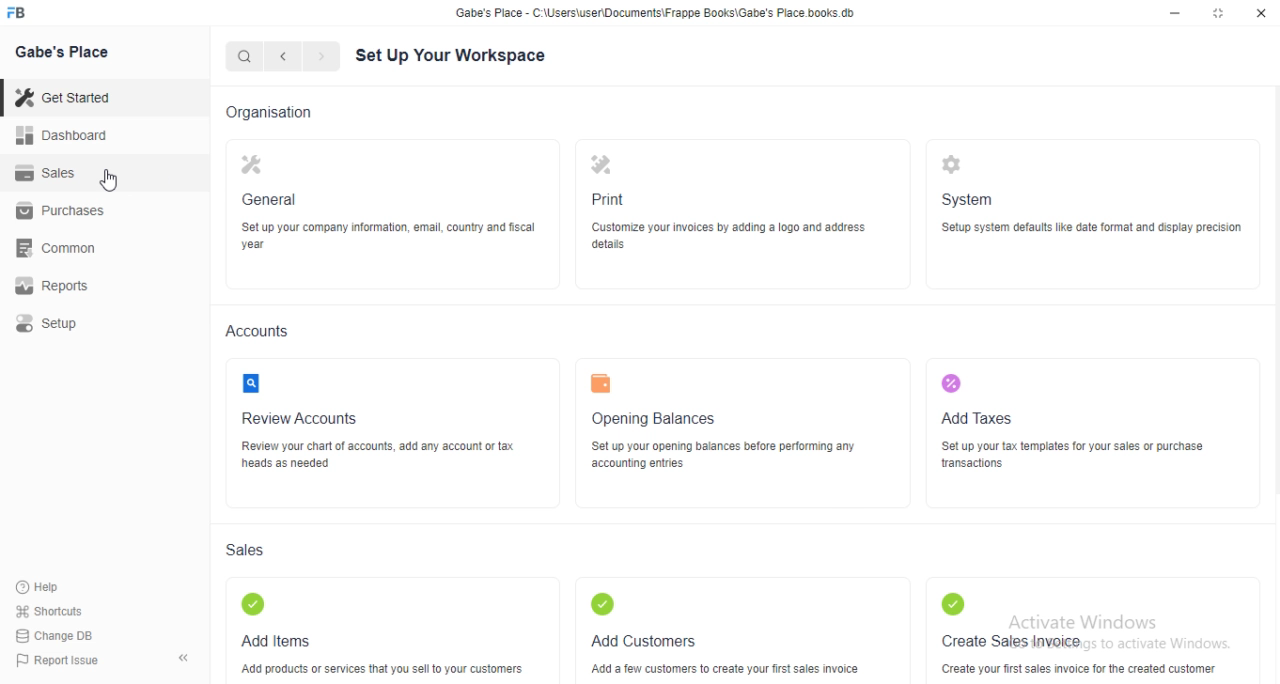 The width and height of the screenshot is (1280, 684). What do you see at coordinates (39, 587) in the screenshot?
I see `help` at bounding box center [39, 587].